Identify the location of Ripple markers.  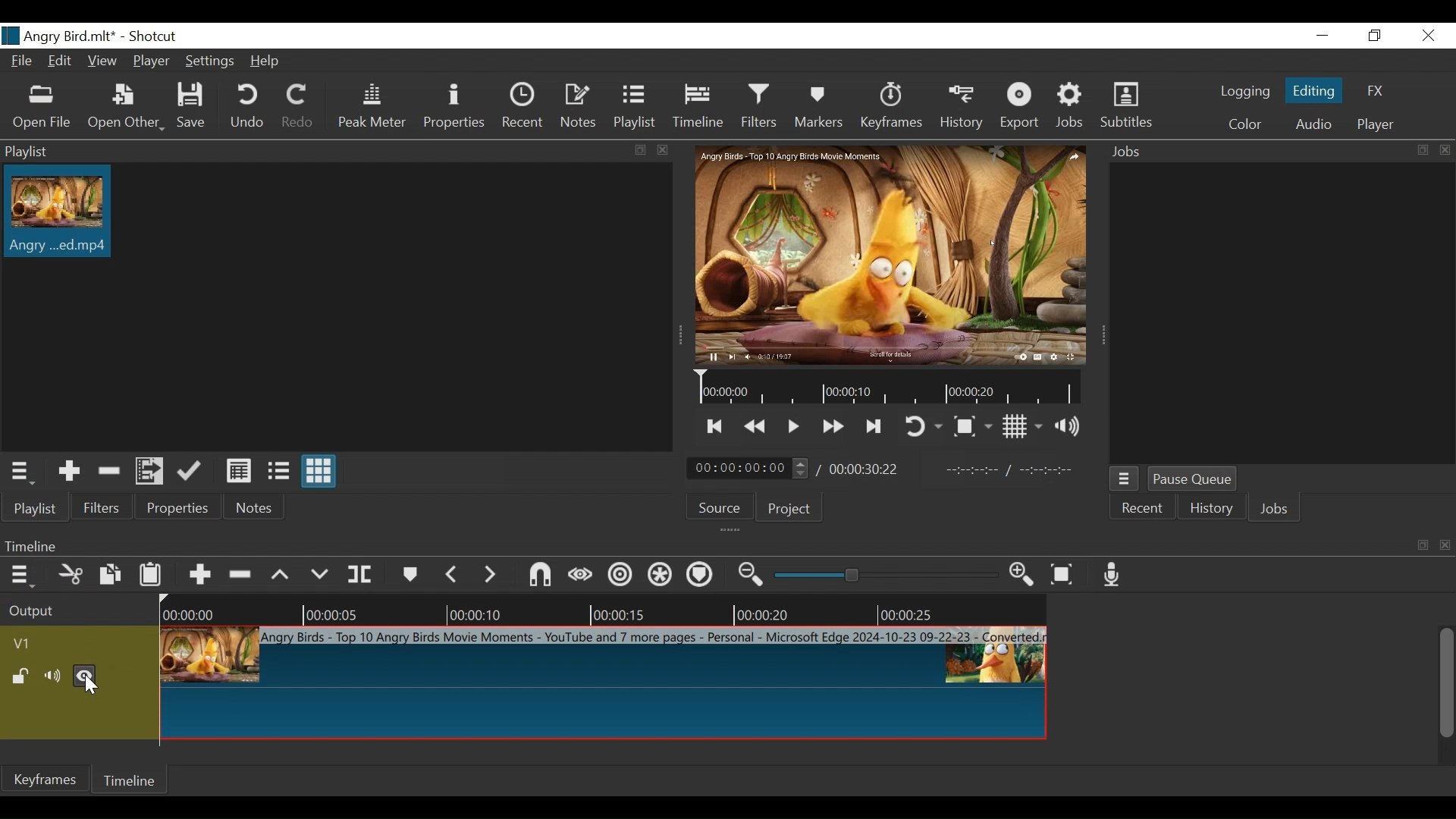
(699, 576).